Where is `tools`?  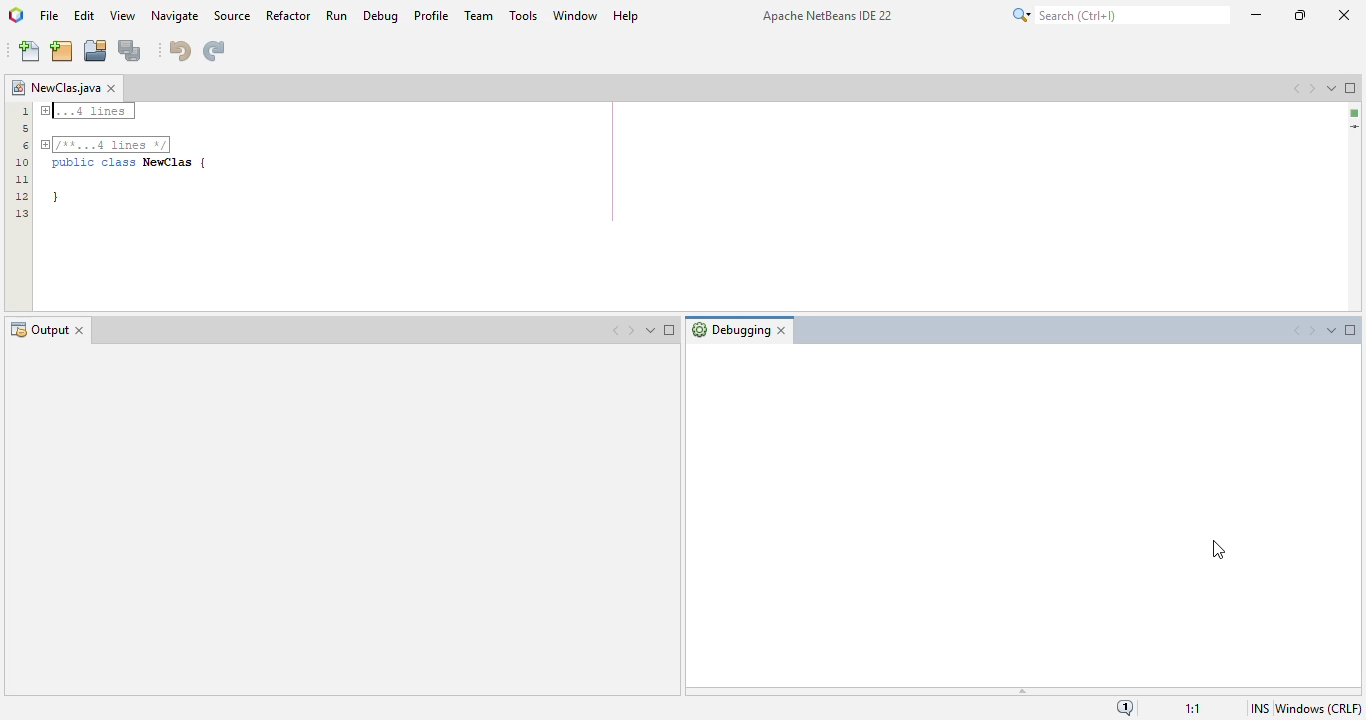 tools is located at coordinates (524, 14).